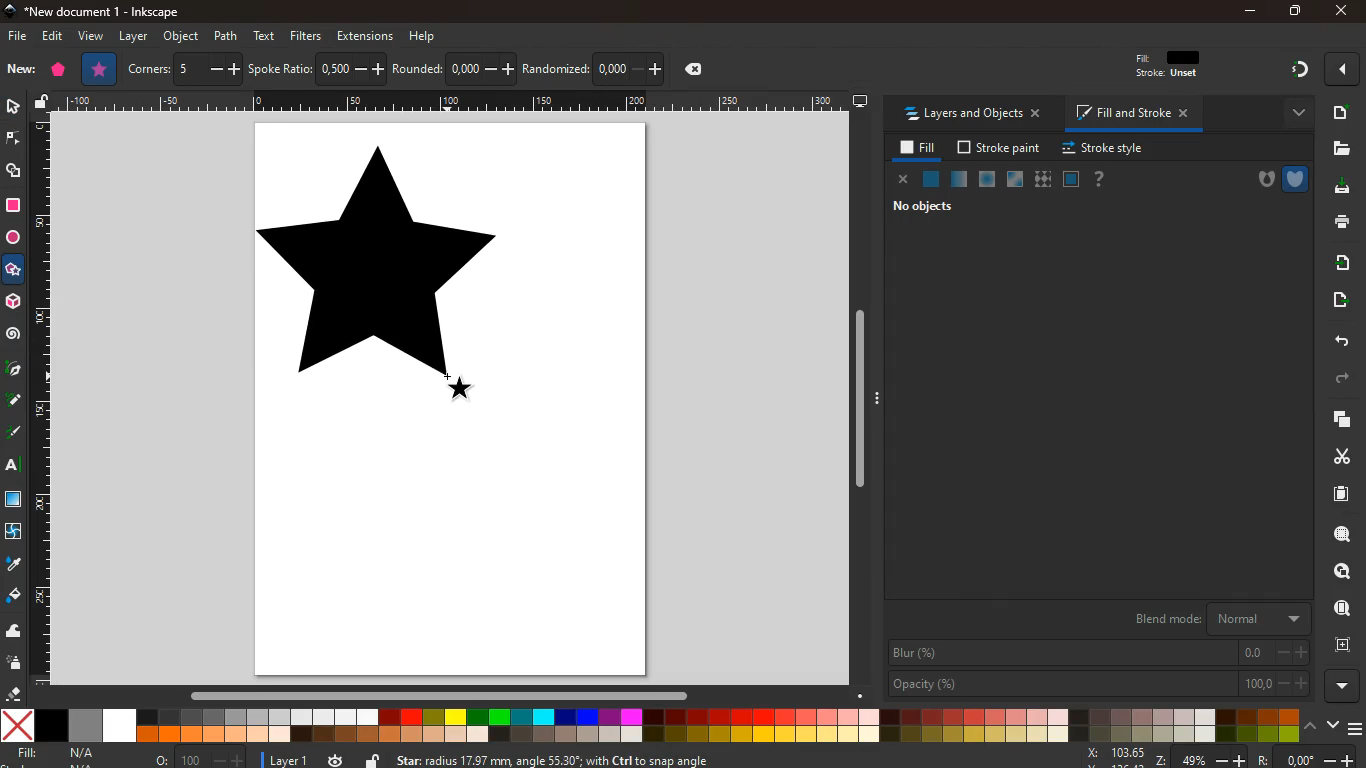 The width and height of the screenshot is (1366, 768). What do you see at coordinates (372, 759) in the screenshot?
I see `unlock` at bounding box center [372, 759].